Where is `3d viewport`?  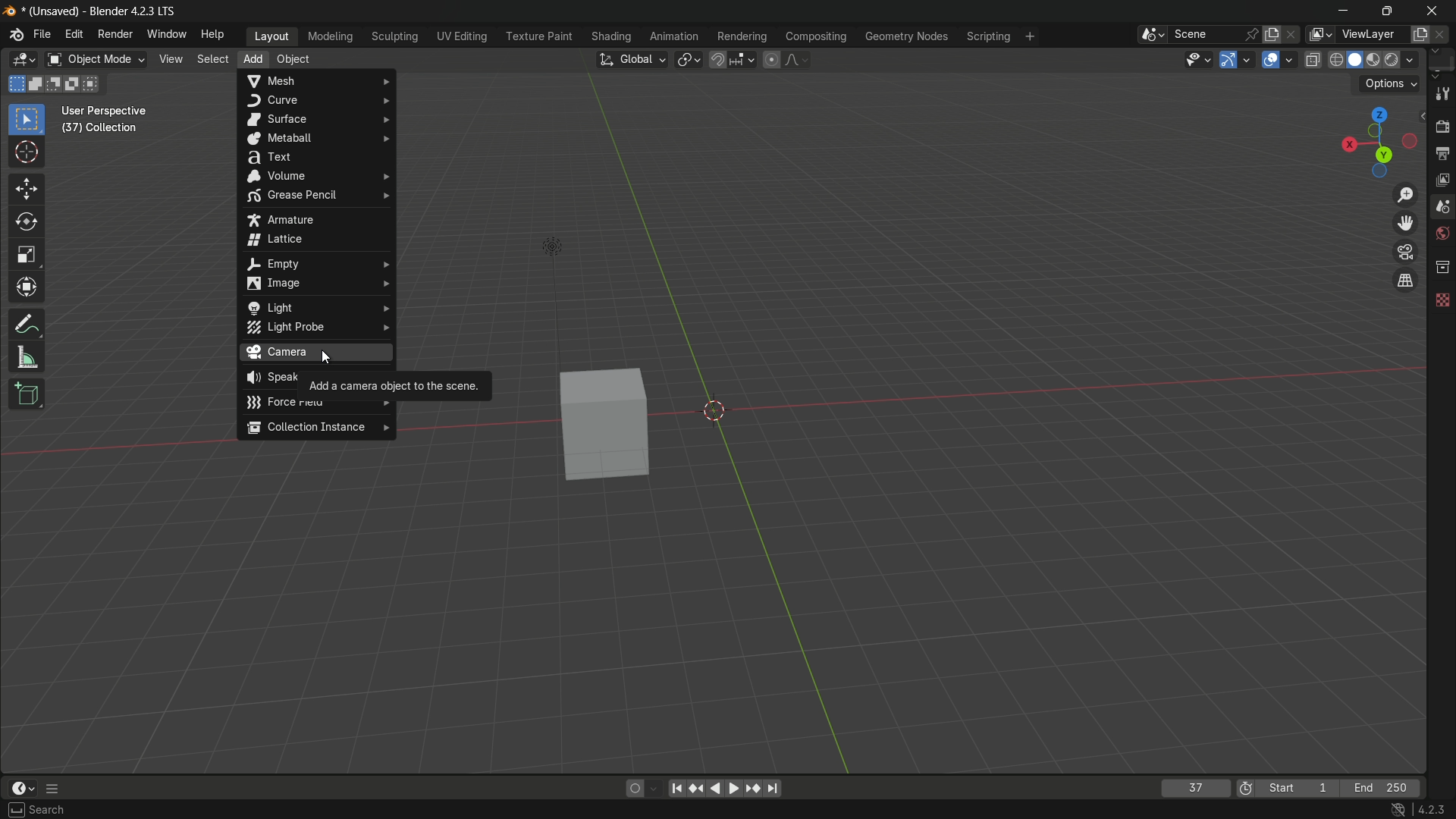
3d viewport is located at coordinates (26, 60).